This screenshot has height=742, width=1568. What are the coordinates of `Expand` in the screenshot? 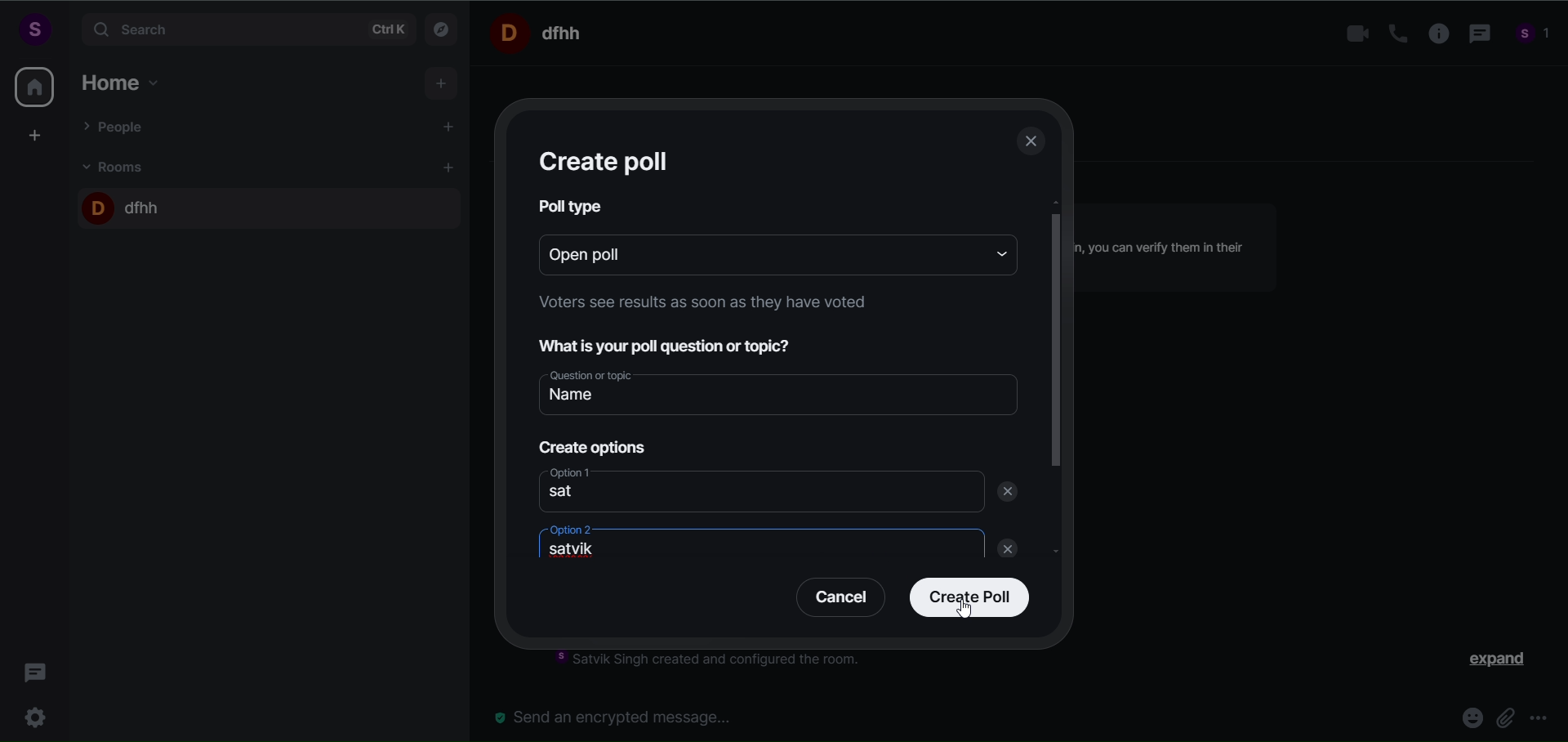 It's located at (1487, 663).